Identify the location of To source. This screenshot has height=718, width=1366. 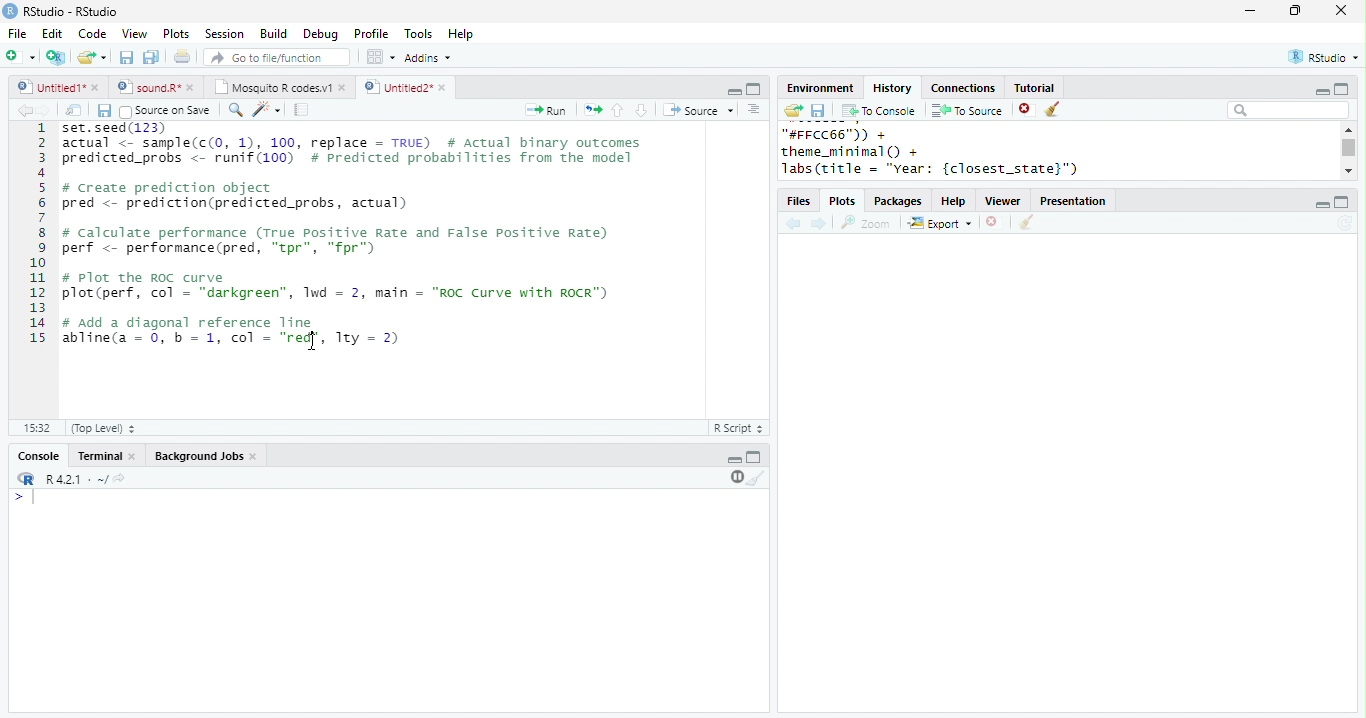
(967, 110).